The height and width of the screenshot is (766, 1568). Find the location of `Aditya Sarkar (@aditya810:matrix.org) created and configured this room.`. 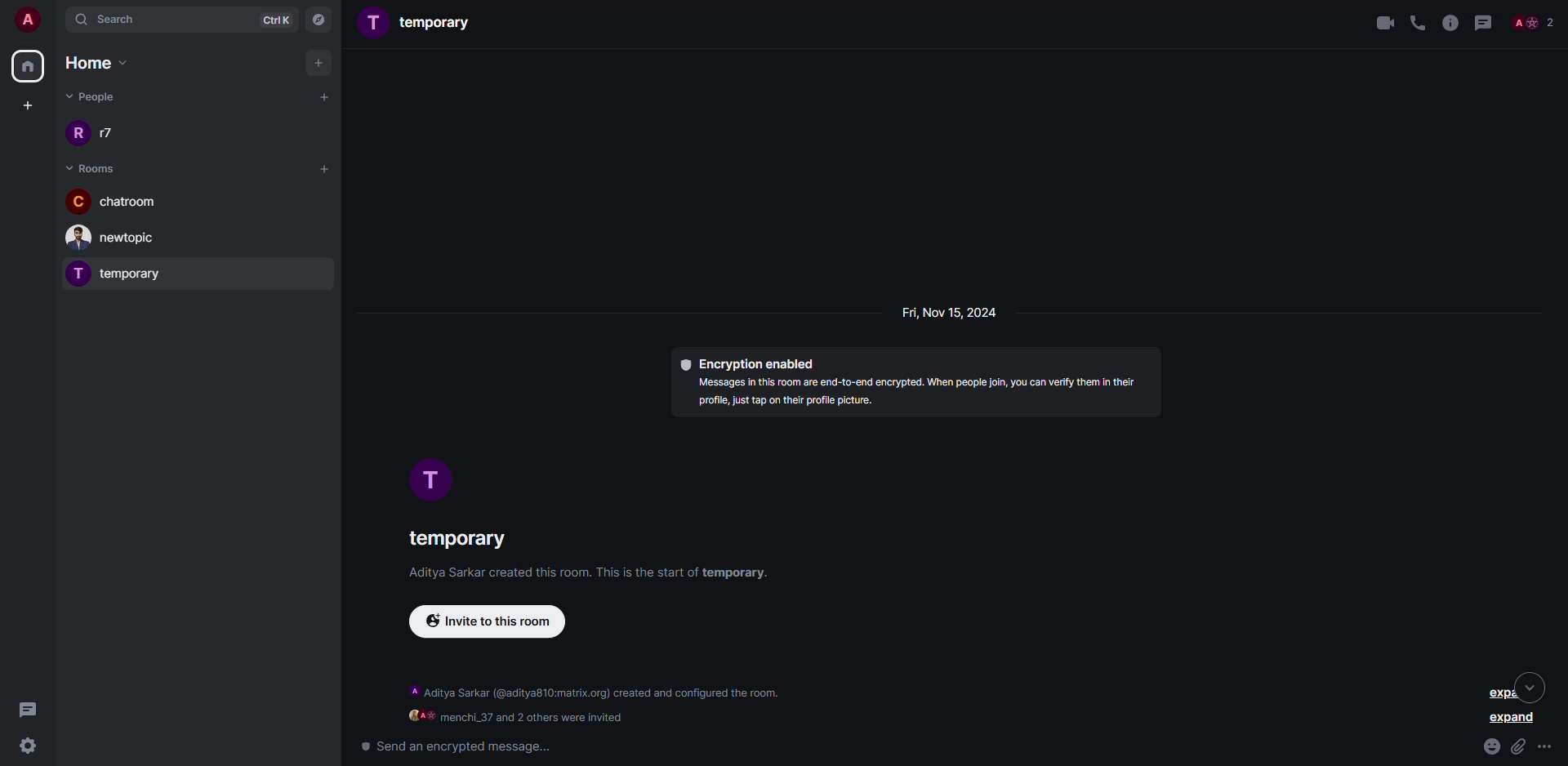

Aditya Sarkar (@aditya810:matrix.org) created and configured this room. is located at coordinates (597, 693).